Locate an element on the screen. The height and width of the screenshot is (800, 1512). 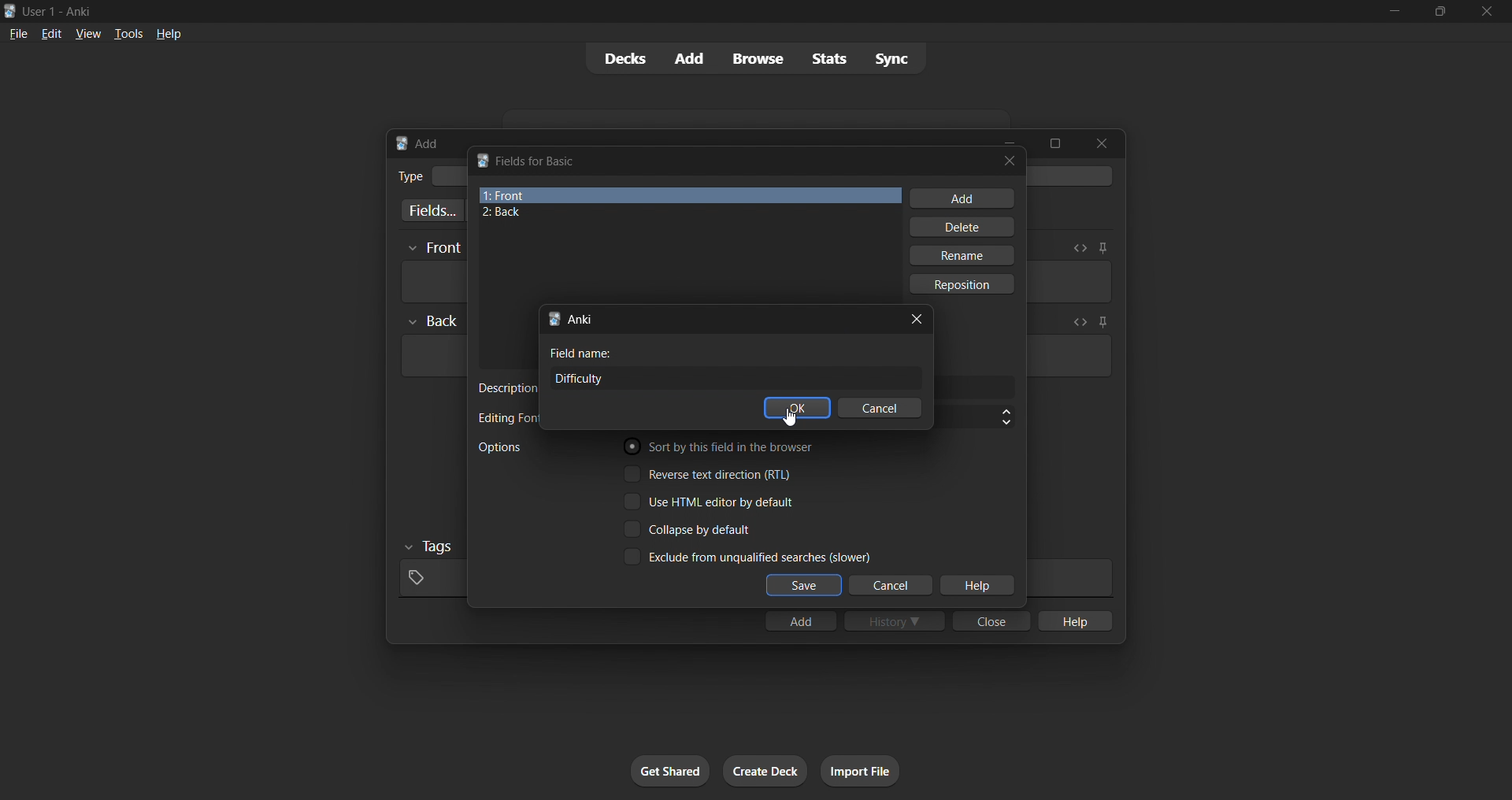
Card tags input is located at coordinates (1069, 578).